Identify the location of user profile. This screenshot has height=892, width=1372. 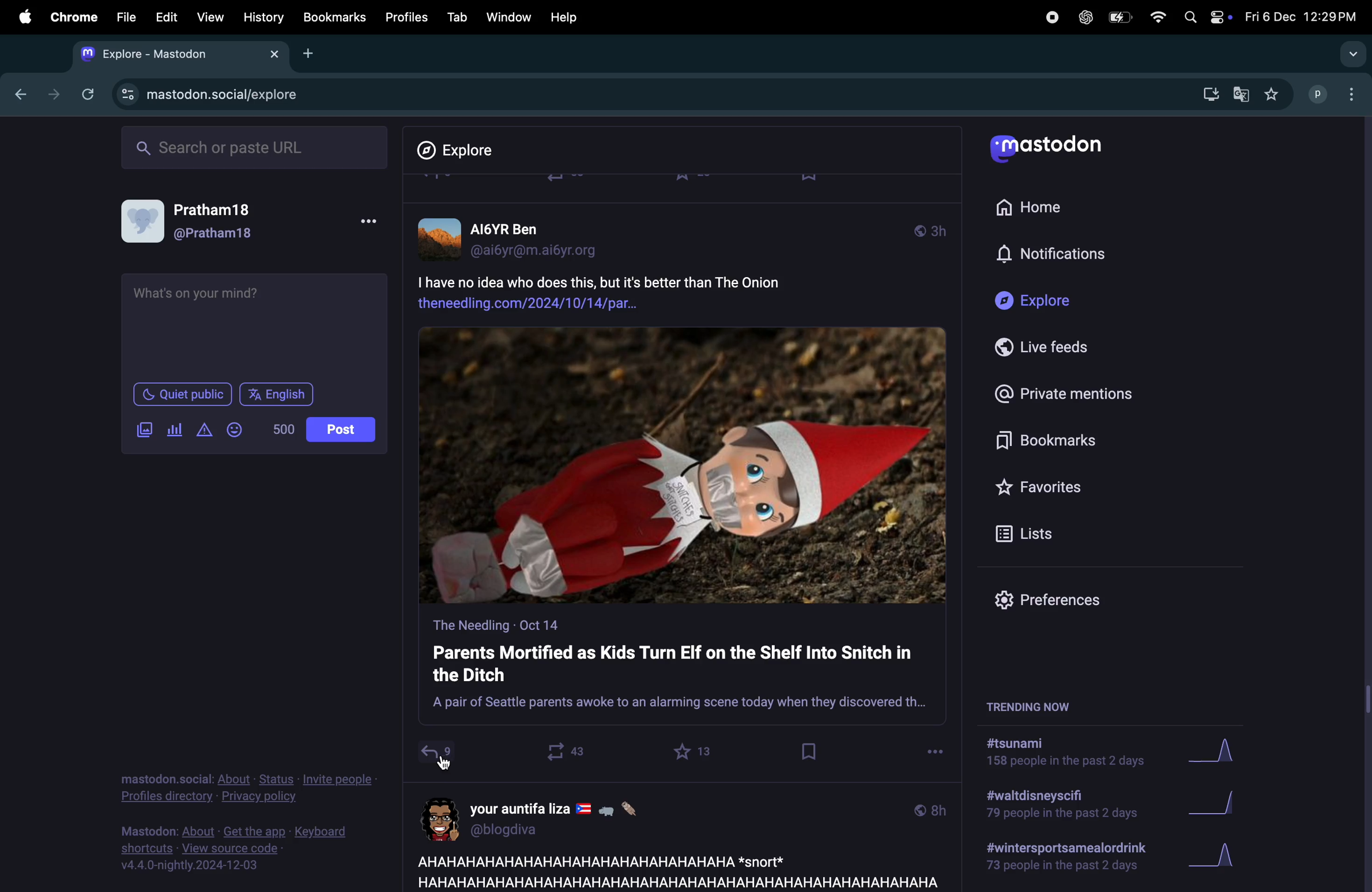
(199, 223).